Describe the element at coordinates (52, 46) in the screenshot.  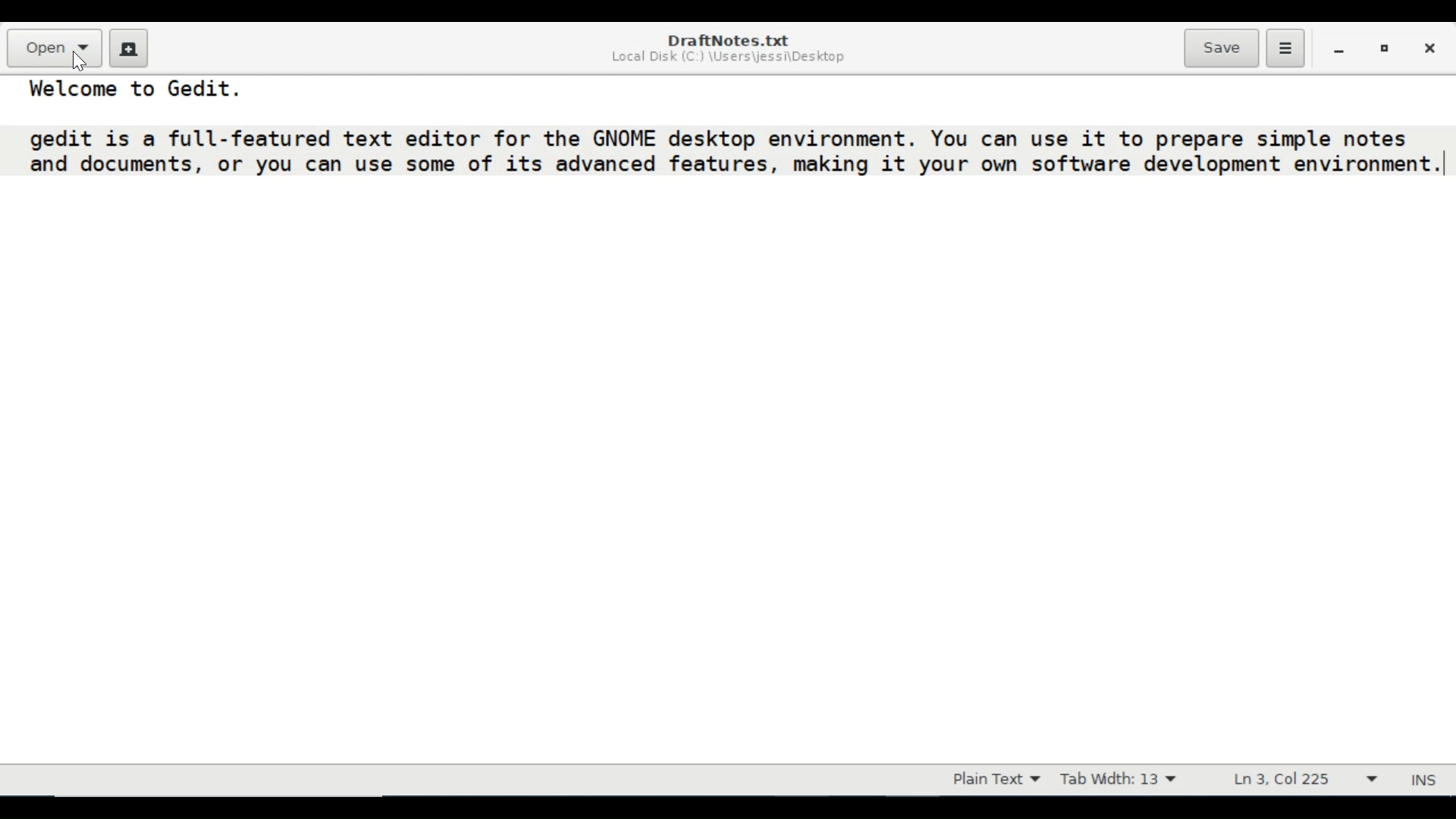
I see `Open` at that location.